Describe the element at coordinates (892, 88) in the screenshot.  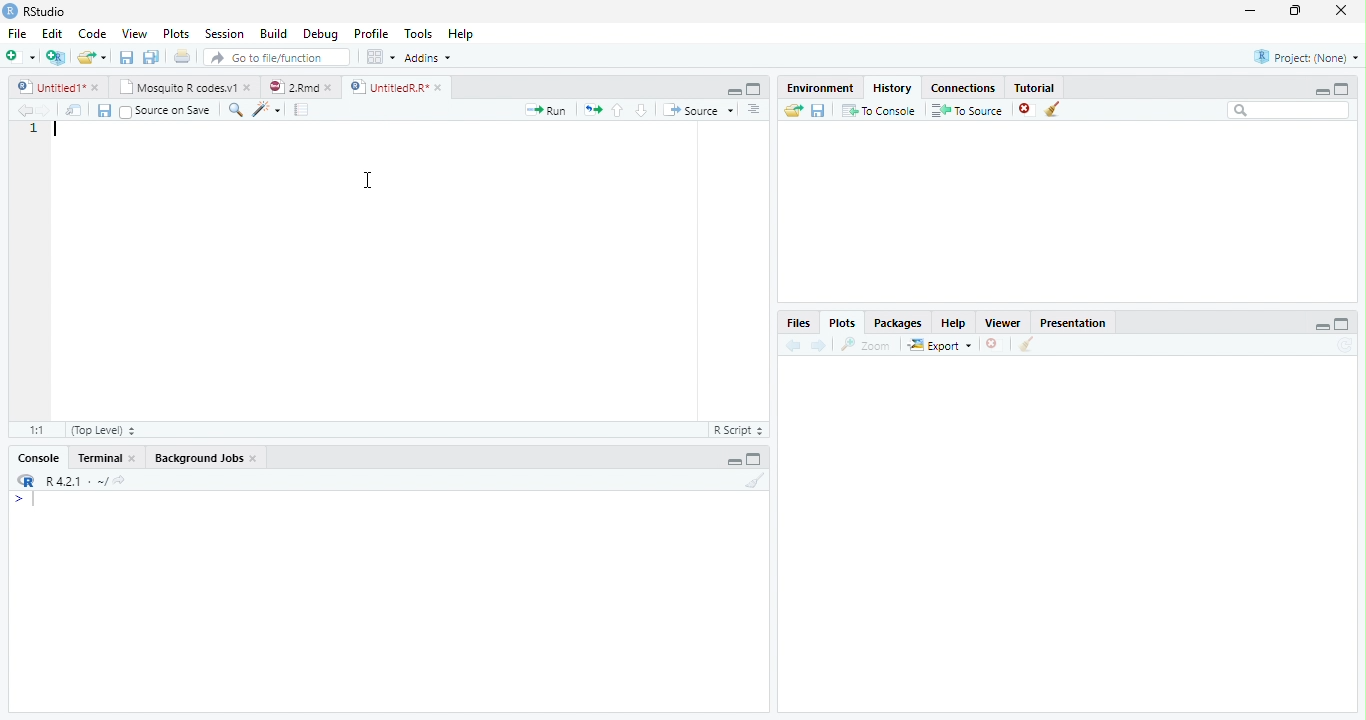
I see `History` at that location.